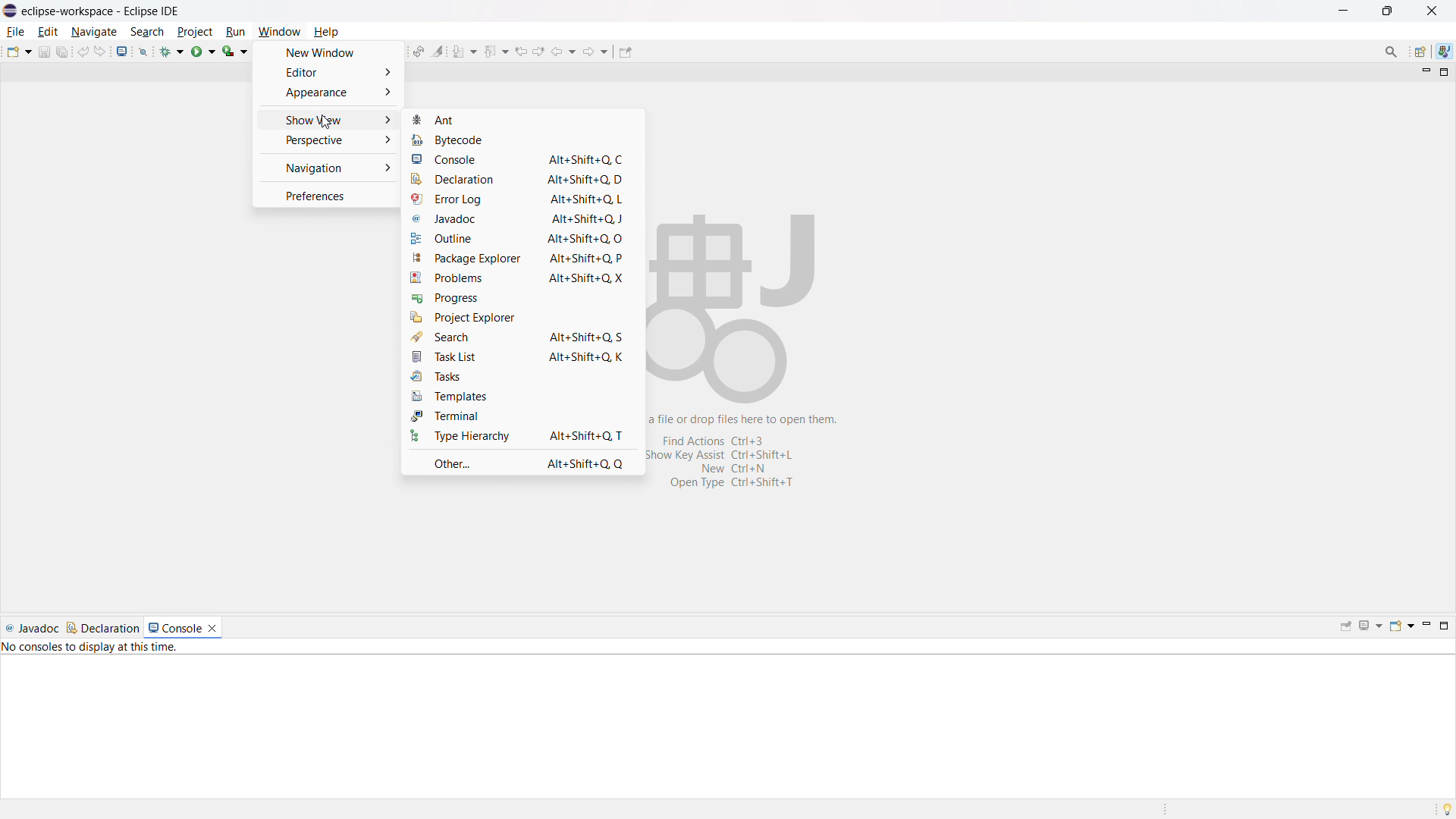 The width and height of the screenshot is (1456, 819). Describe the element at coordinates (1390, 52) in the screenshot. I see `access commands and other items` at that location.